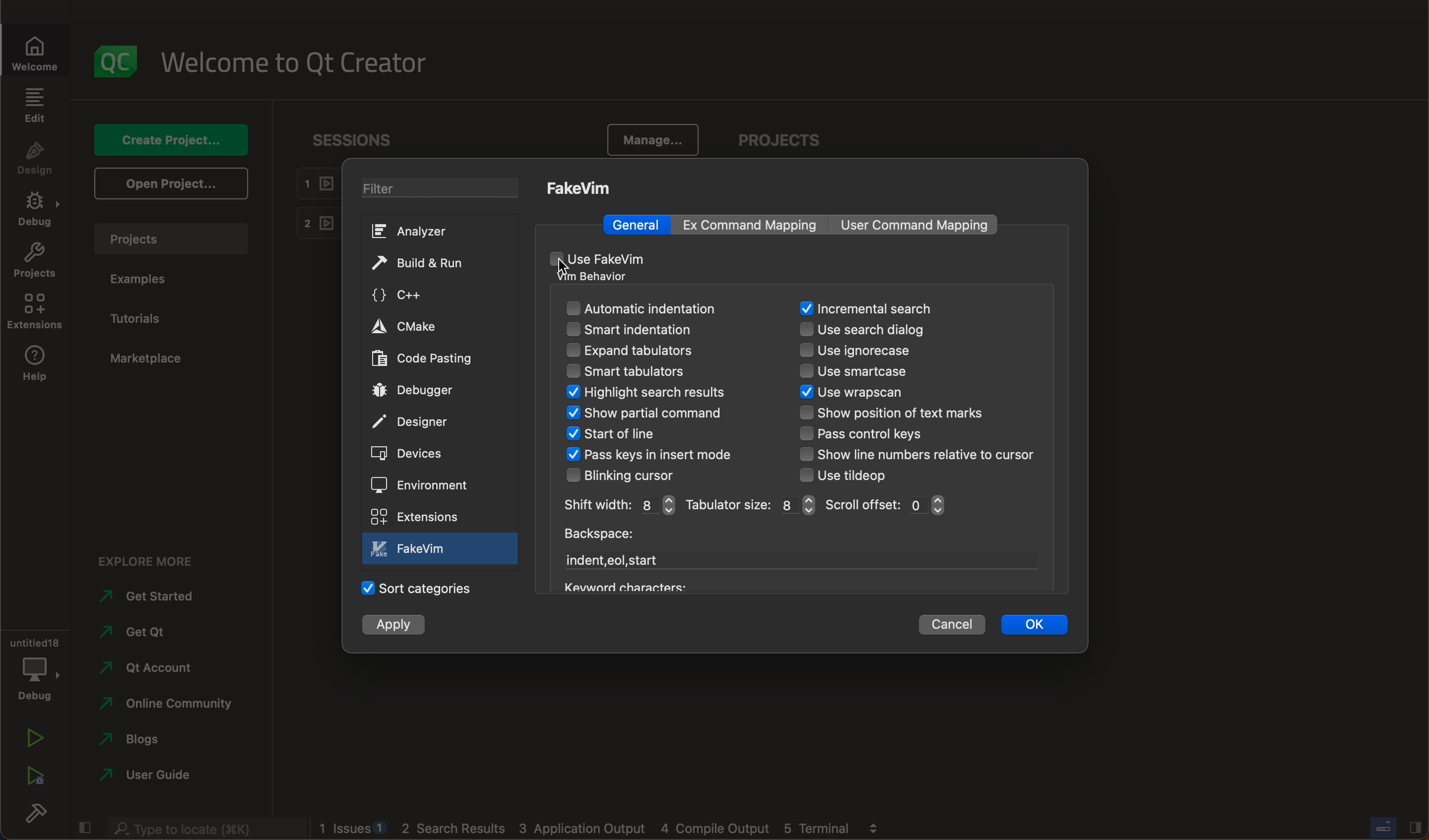 The height and width of the screenshot is (840, 1429). What do you see at coordinates (394, 624) in the screenshot?
I see `apply` at bounding box center [394, 624].